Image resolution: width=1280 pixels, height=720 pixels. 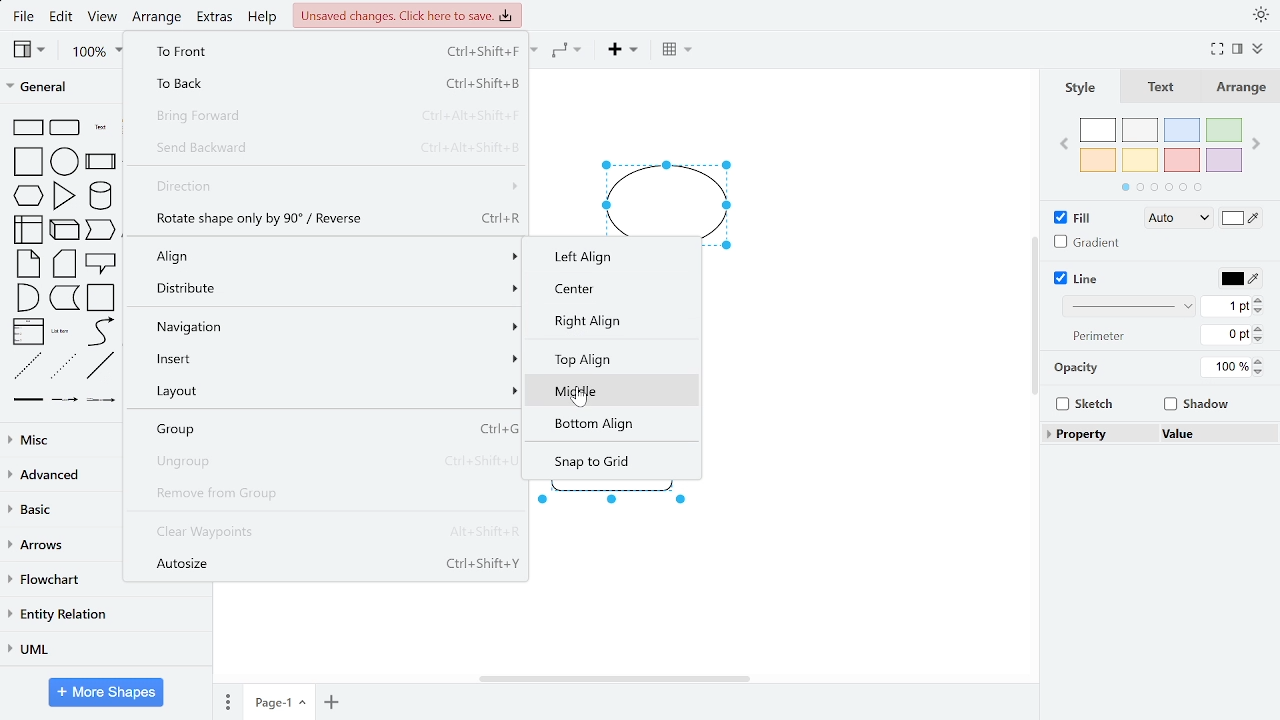 I want to click on cube, so click(x=66, y=229).